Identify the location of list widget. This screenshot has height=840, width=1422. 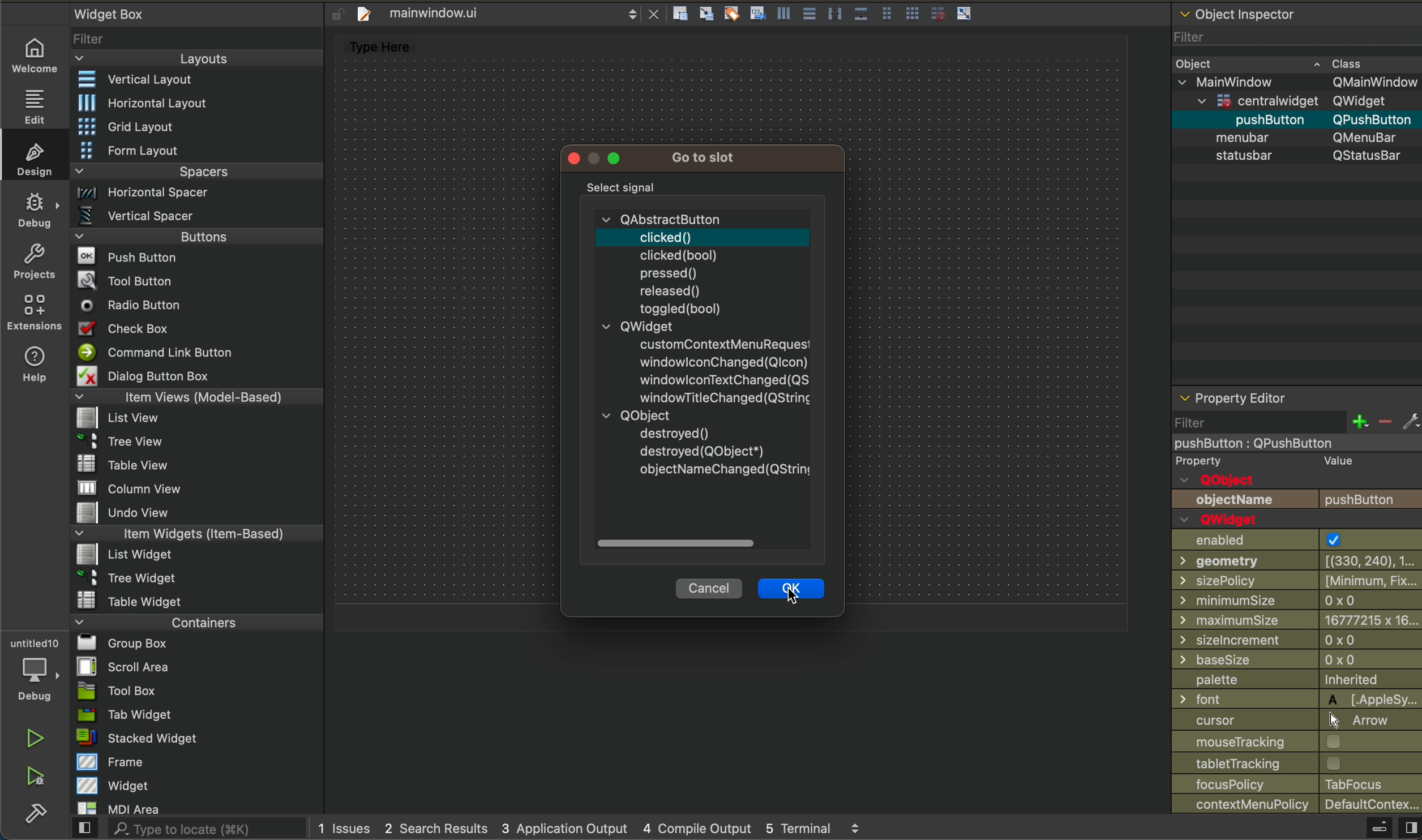
(192, 556).